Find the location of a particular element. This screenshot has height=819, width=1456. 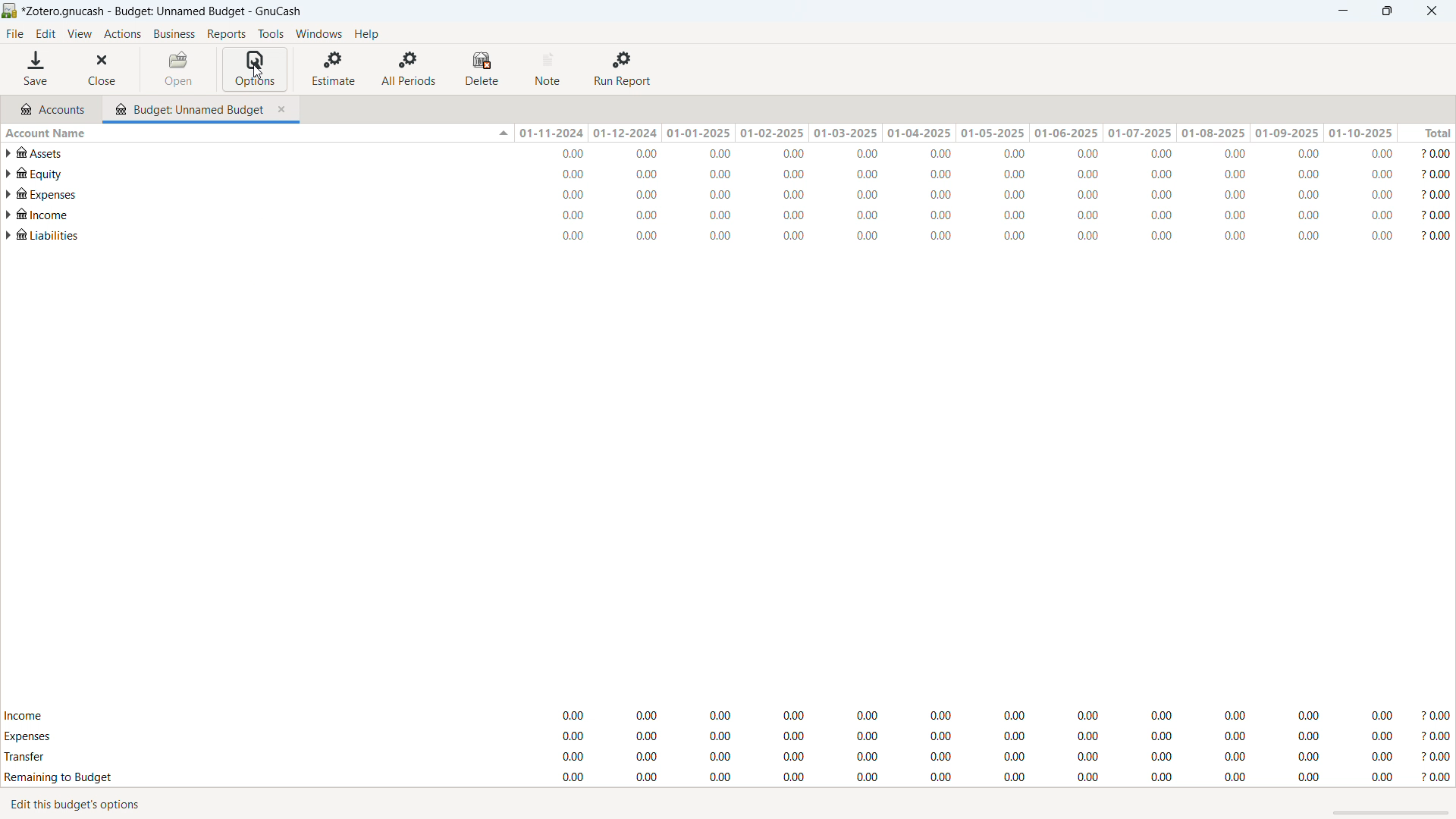

Cursor is located at coordinates (255, 71).